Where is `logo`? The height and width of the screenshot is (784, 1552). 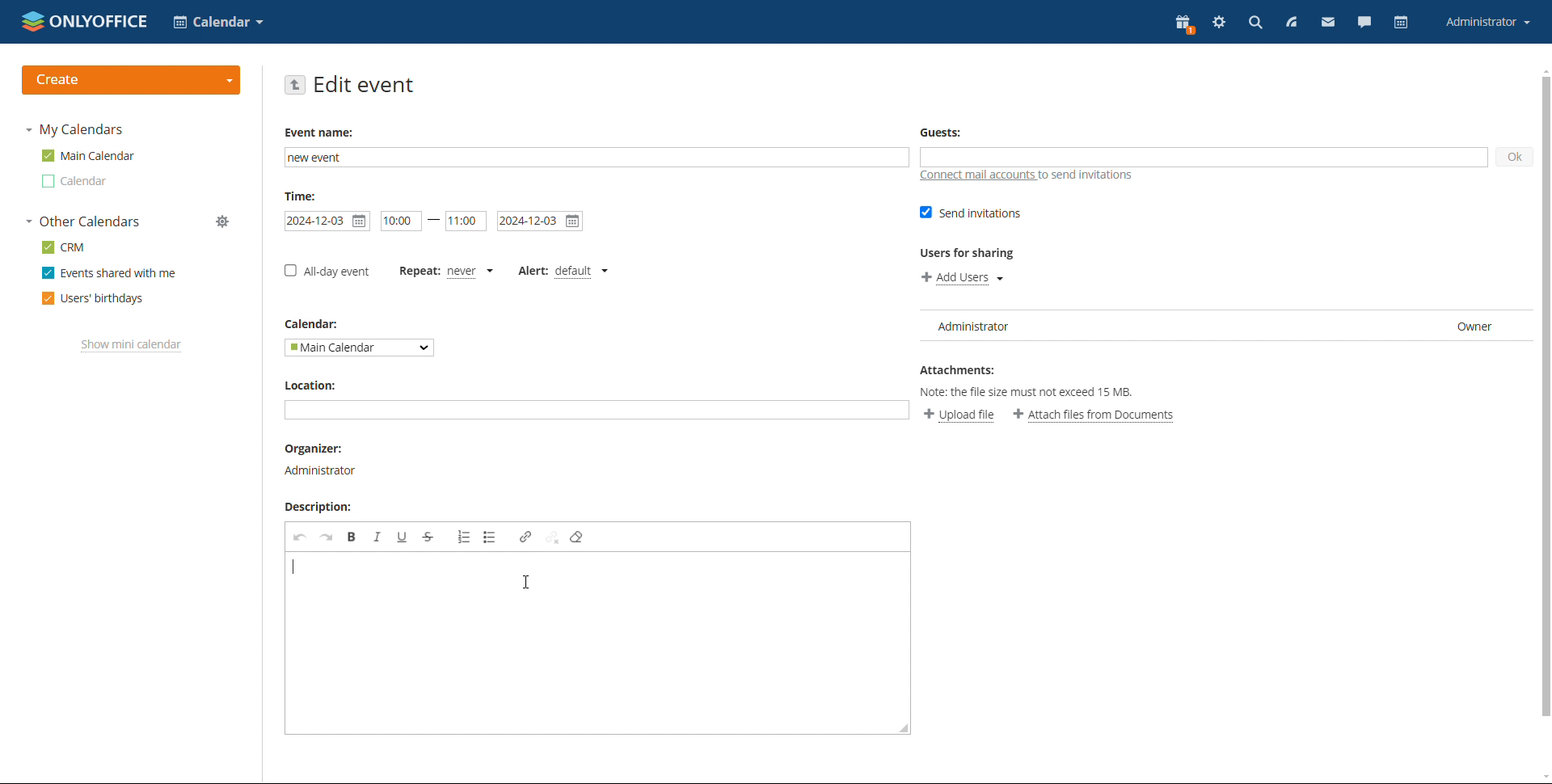
logo is located at coordinates (85, 20).